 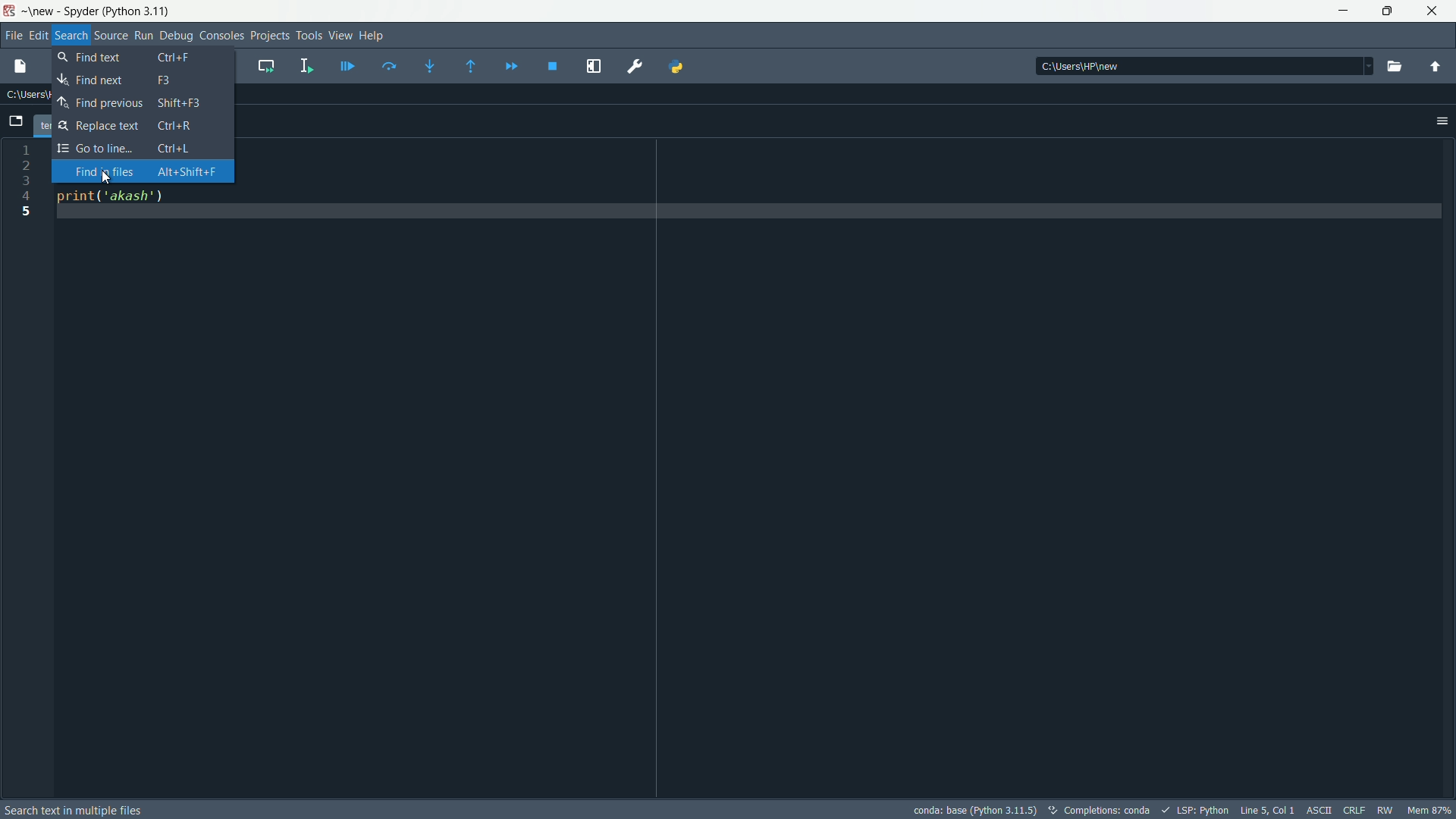 What do you see at coordinates (1434, 67) in the screenshot?
I see `parent directory` at bounding box center [1434, 67].